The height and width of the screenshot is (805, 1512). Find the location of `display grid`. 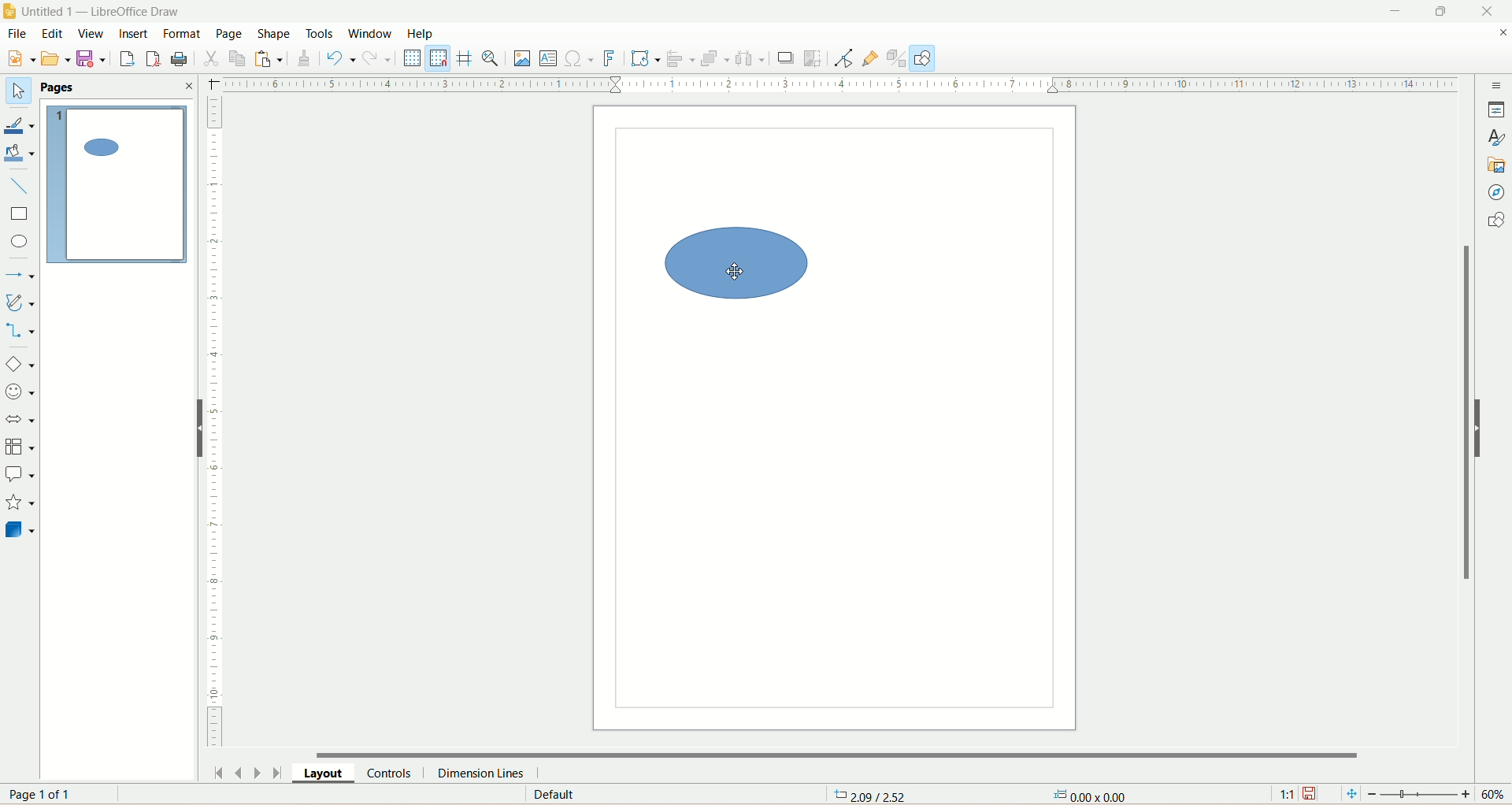

display grid is located at coordinates (413, 58).